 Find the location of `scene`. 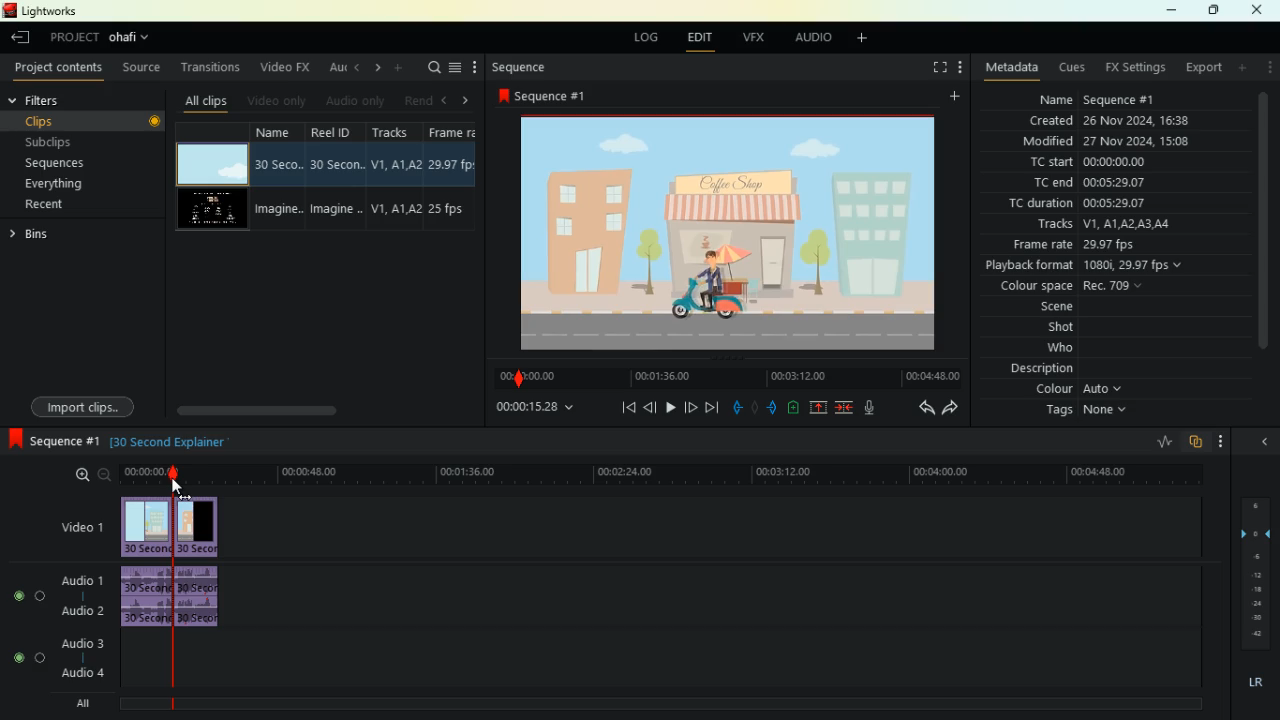

scene is located at coordinates (1044, 307).